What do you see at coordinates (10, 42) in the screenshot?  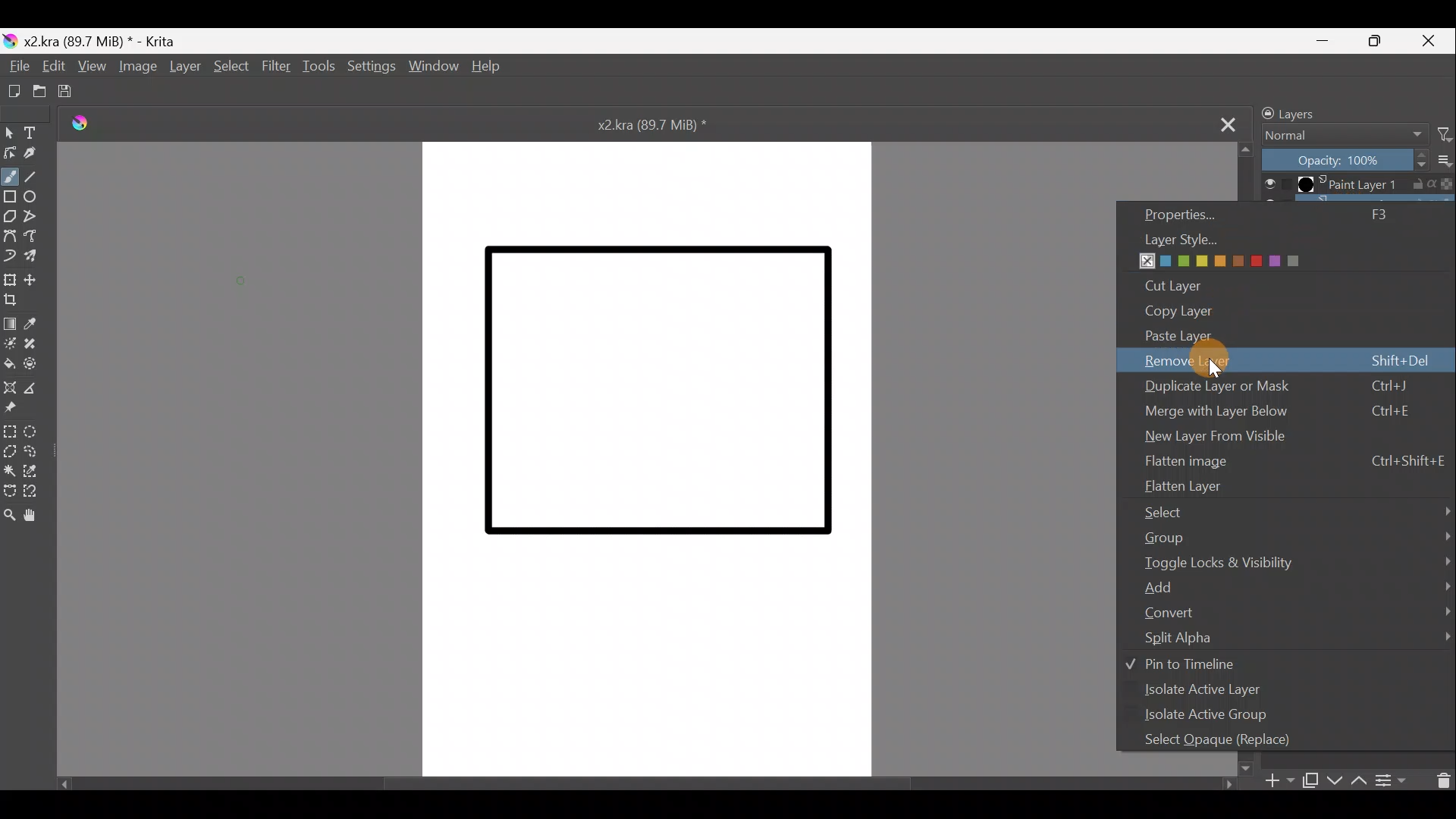 I see `Krita logo` at bounding box center [10, 42].